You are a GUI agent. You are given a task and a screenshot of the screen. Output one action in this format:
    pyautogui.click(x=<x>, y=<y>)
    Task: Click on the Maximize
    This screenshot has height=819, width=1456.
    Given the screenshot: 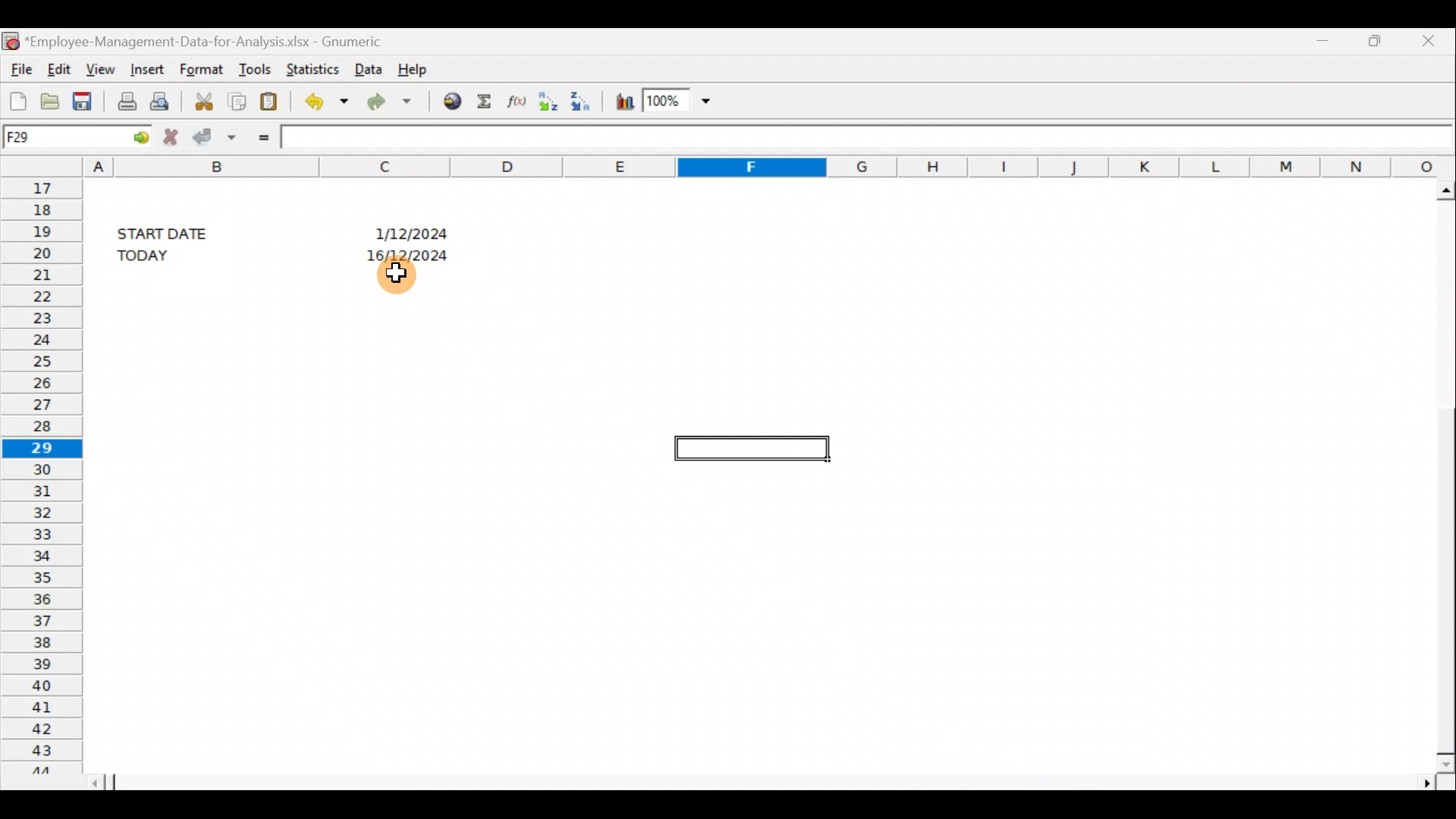 What is the action you would take?
    pyautogui.click(x=1374, y=42)
    